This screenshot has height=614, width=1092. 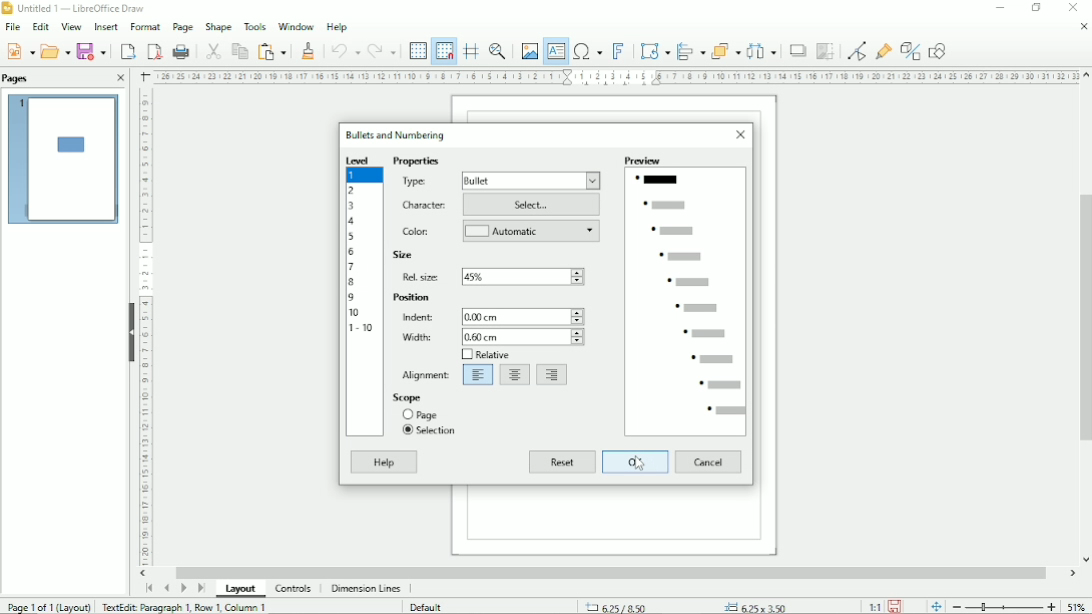 I want to click on 0.00 cm, so click(x=523, y=315).